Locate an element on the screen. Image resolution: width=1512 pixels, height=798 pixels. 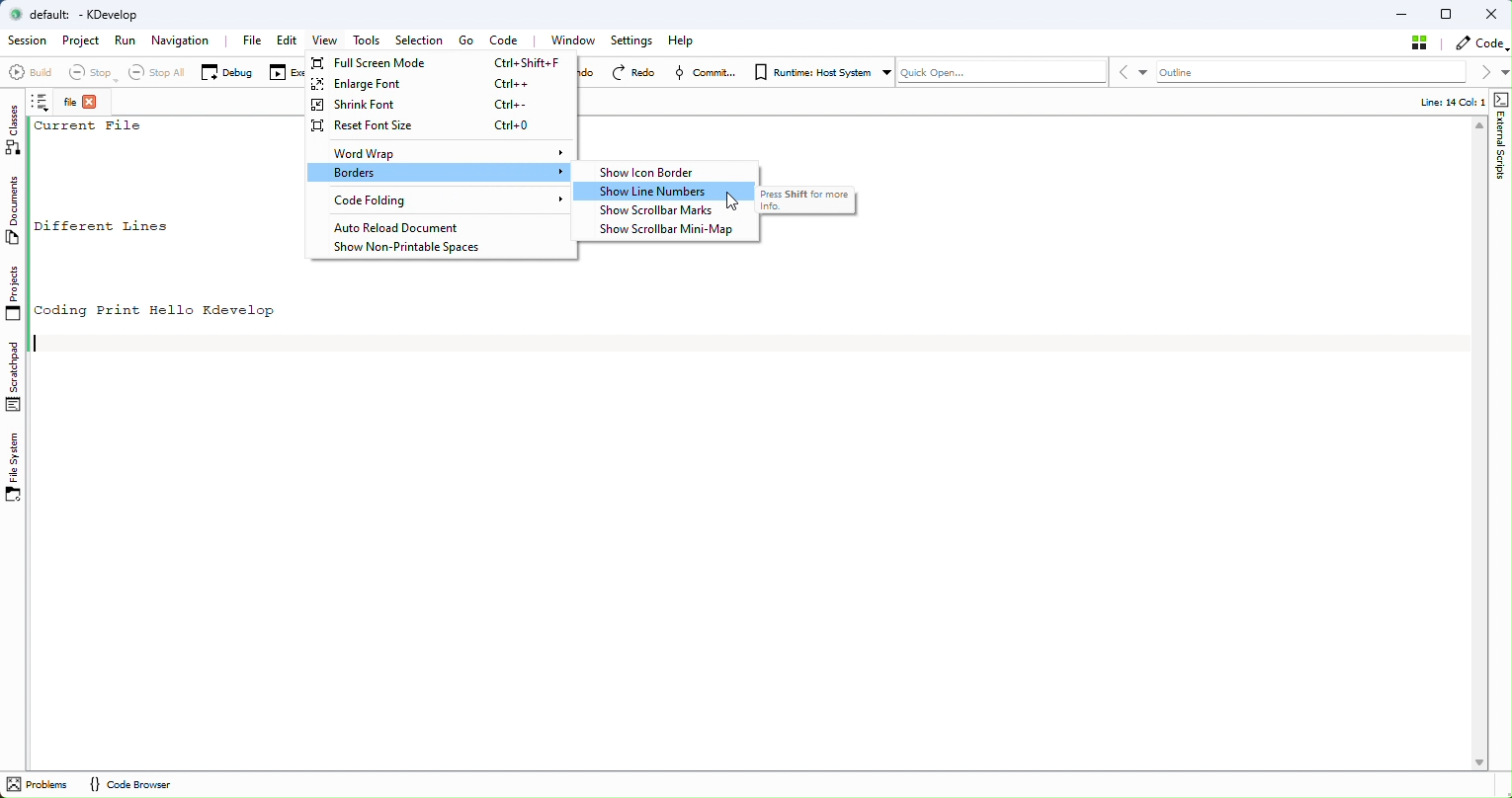
Classes is located at coordinates (17, 130).